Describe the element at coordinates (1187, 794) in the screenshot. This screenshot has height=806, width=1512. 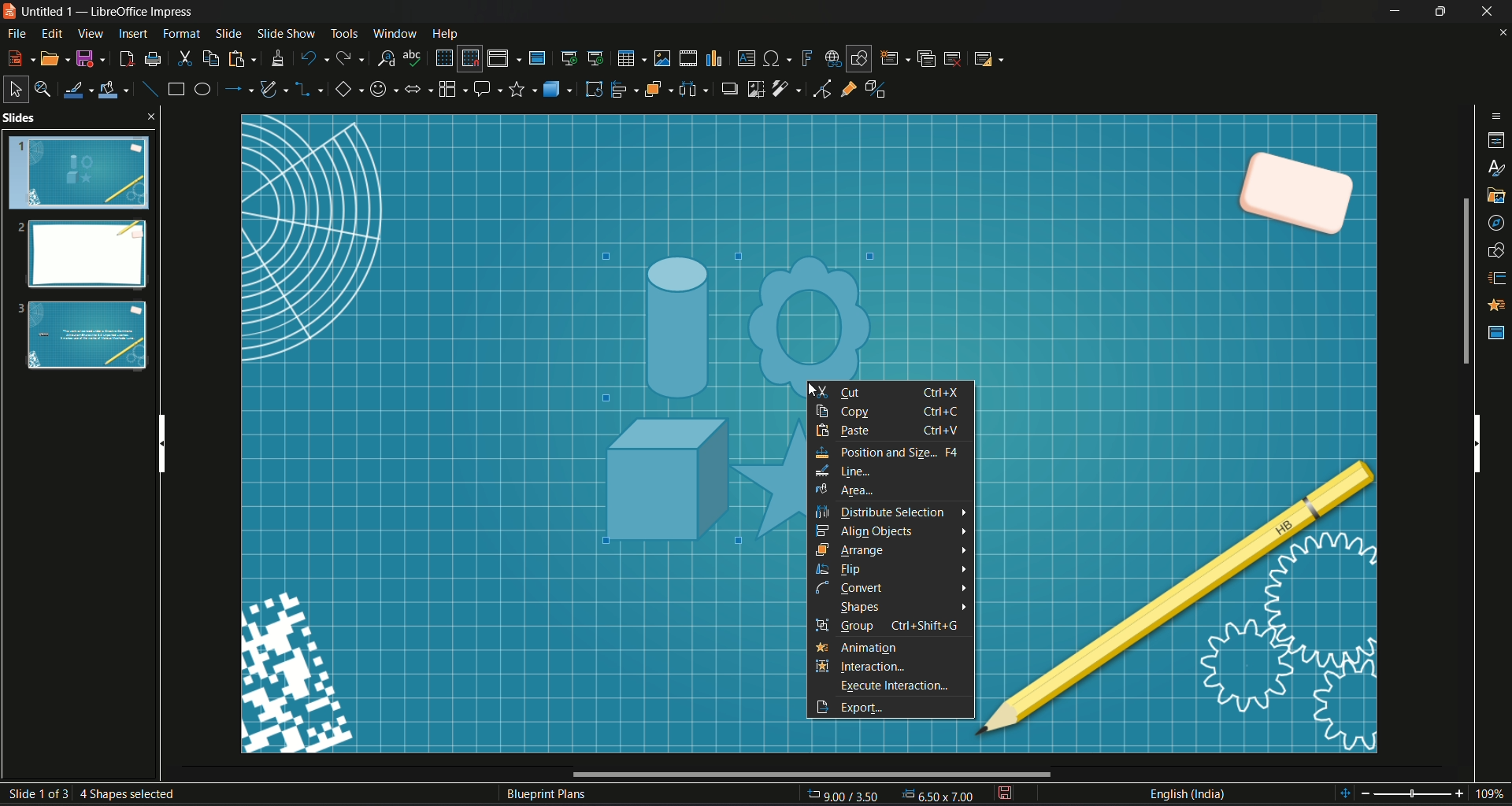
I see `Language` at that location.